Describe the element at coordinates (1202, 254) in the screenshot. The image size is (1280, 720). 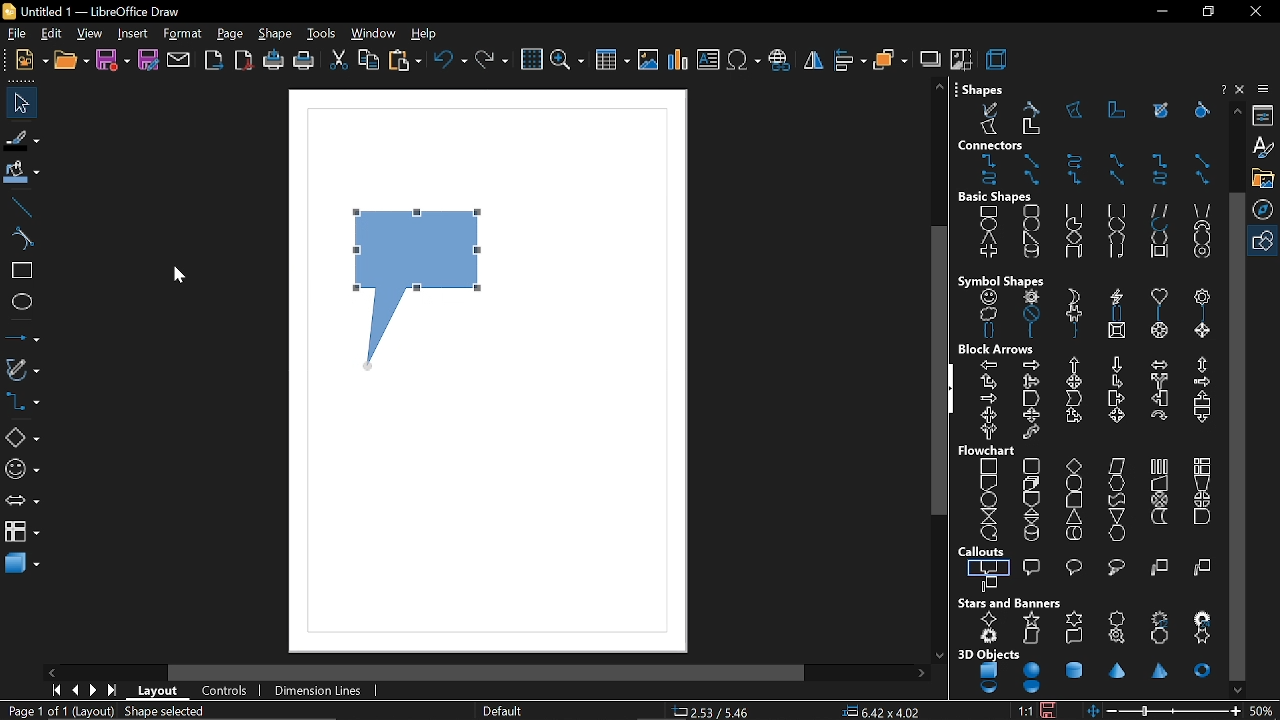
I see `ring` at that location.